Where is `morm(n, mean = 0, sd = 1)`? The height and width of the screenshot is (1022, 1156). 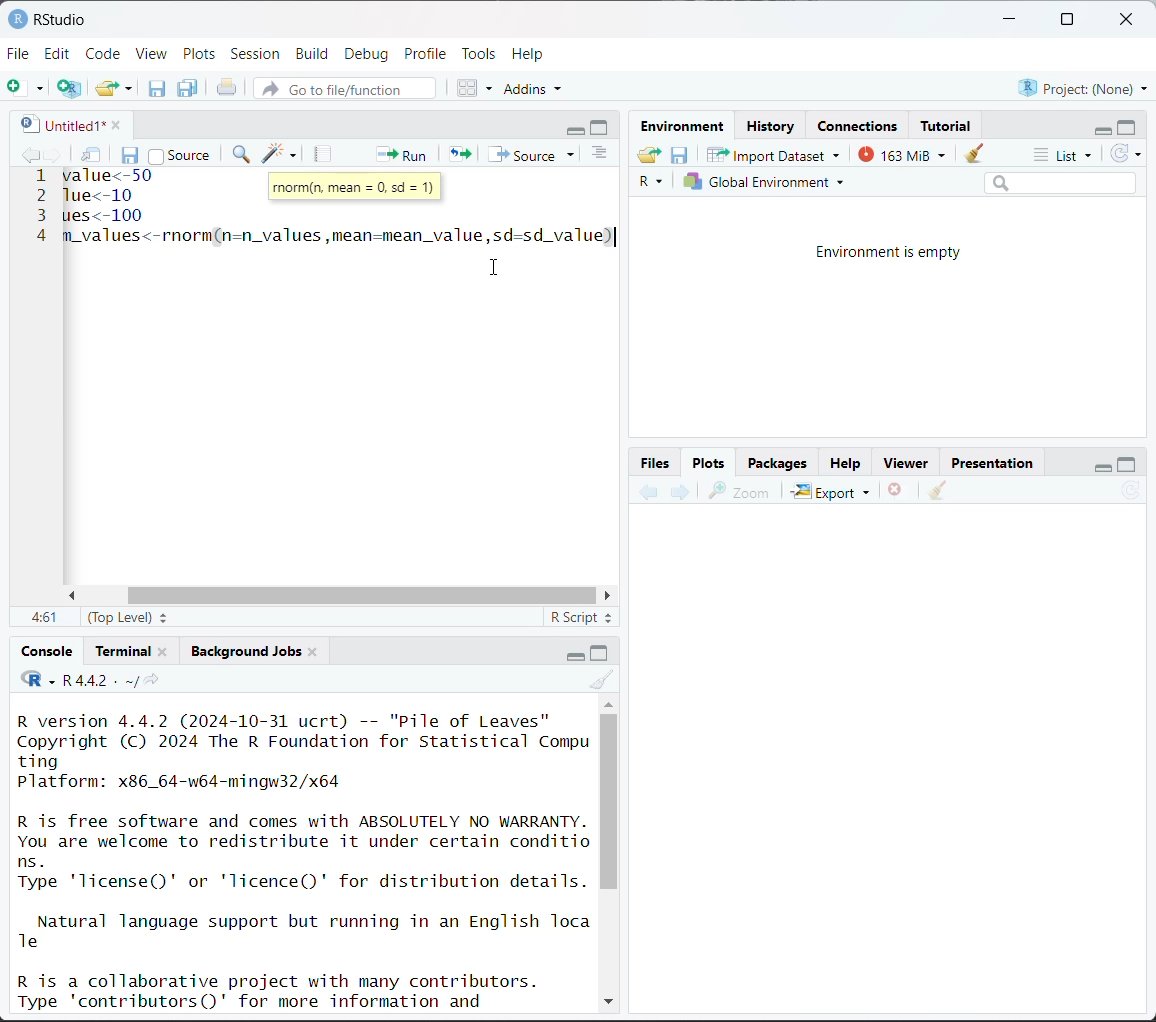 morm(n, mean = 0, sd = 1) is located at coordinates (357, 189).